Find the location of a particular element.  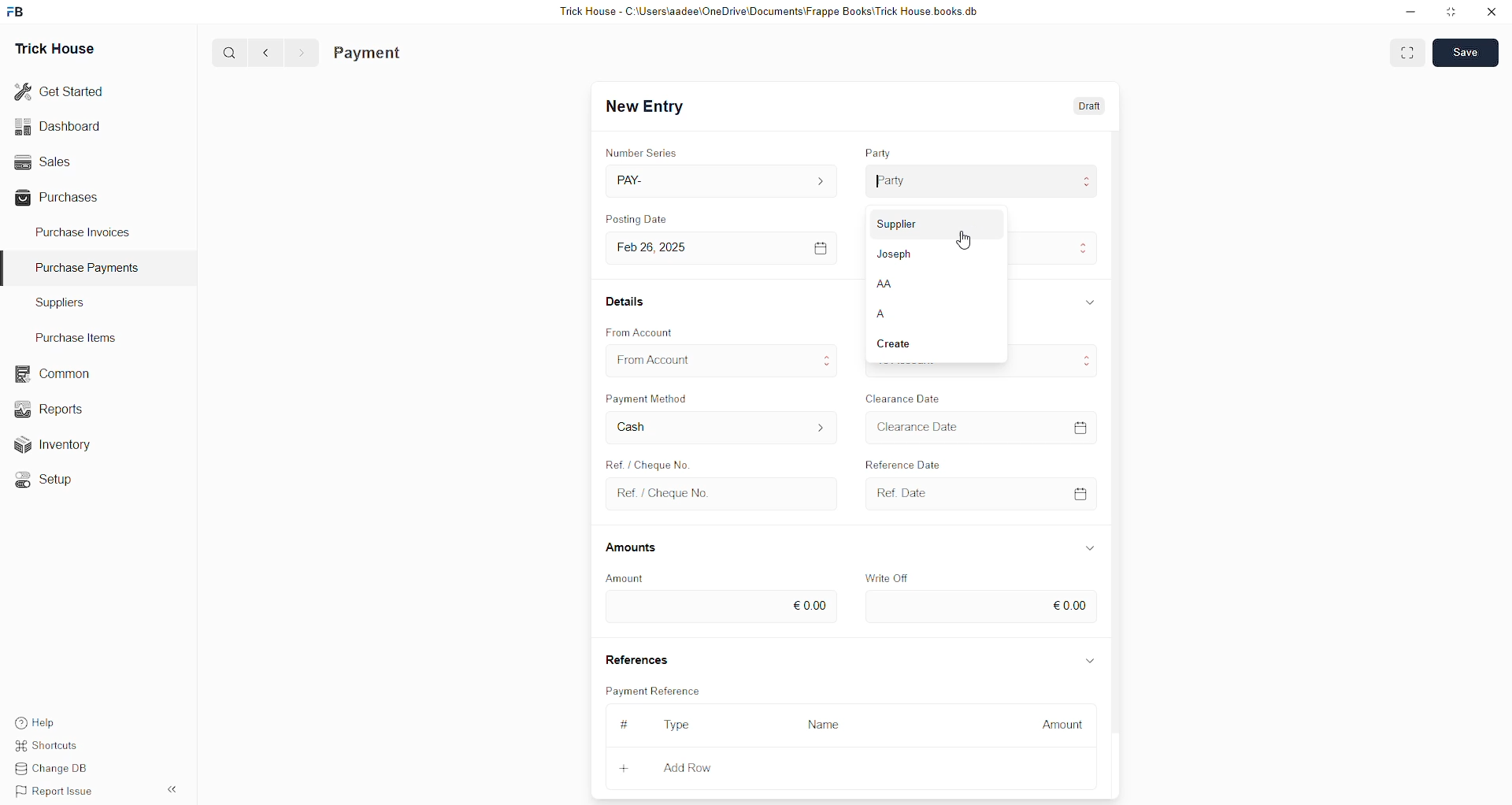

Purchase Items. is located at coordinates (73, 336).